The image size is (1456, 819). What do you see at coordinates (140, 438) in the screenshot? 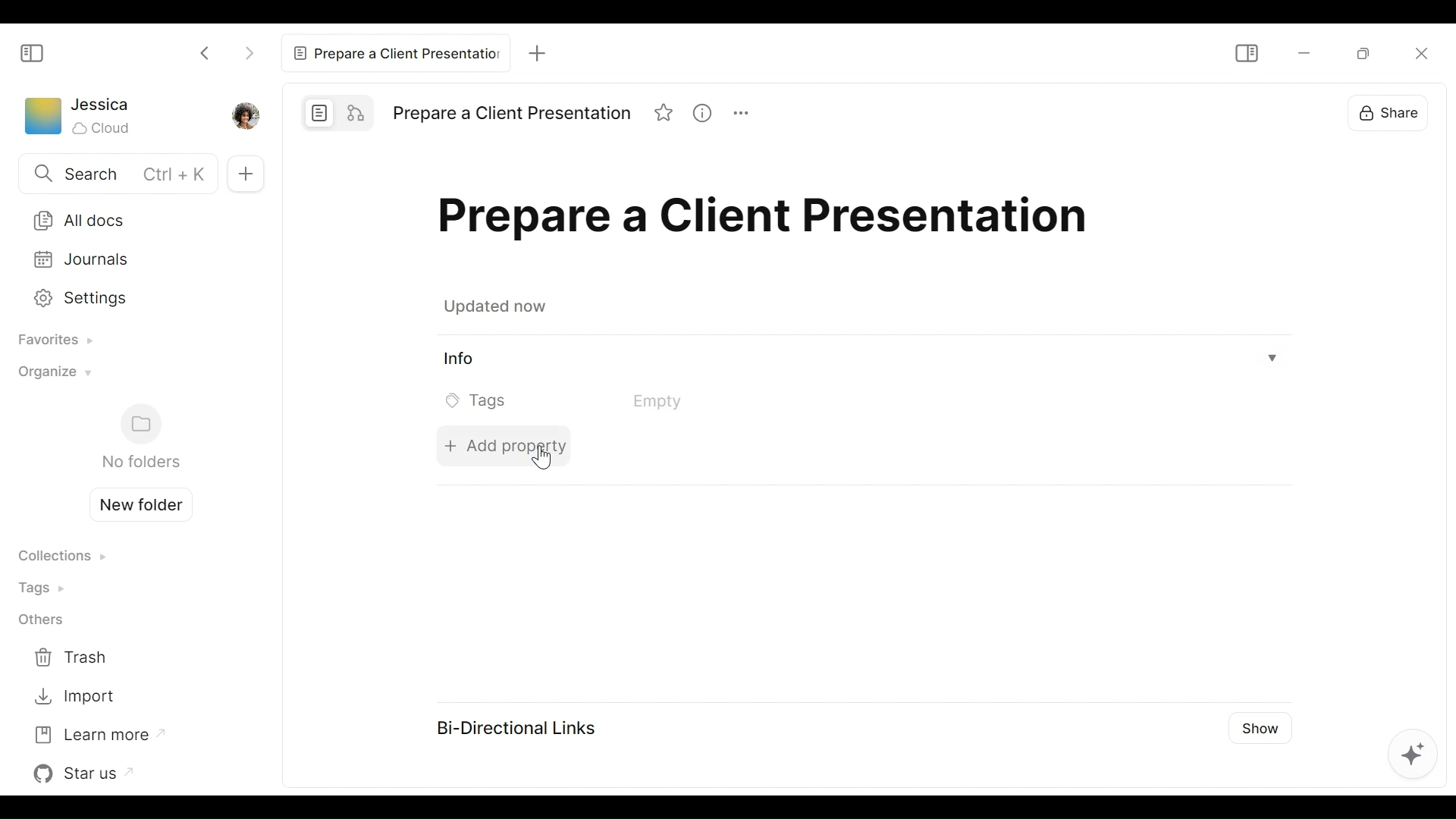
I see `Folders` at bounding box center [140, 438].